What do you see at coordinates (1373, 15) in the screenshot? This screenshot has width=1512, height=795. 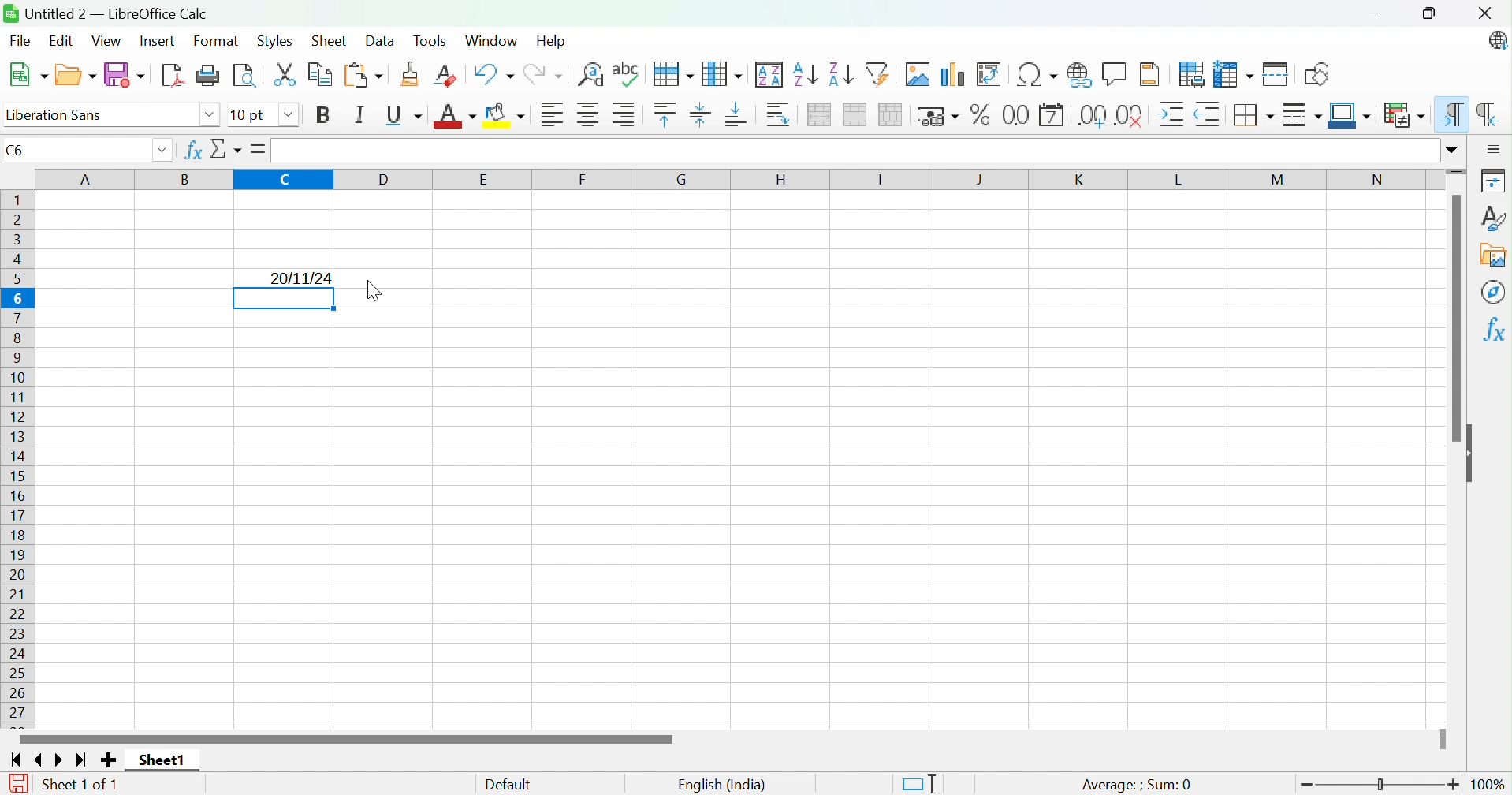 I see `Minimize` at bounding box center [1373, 15].